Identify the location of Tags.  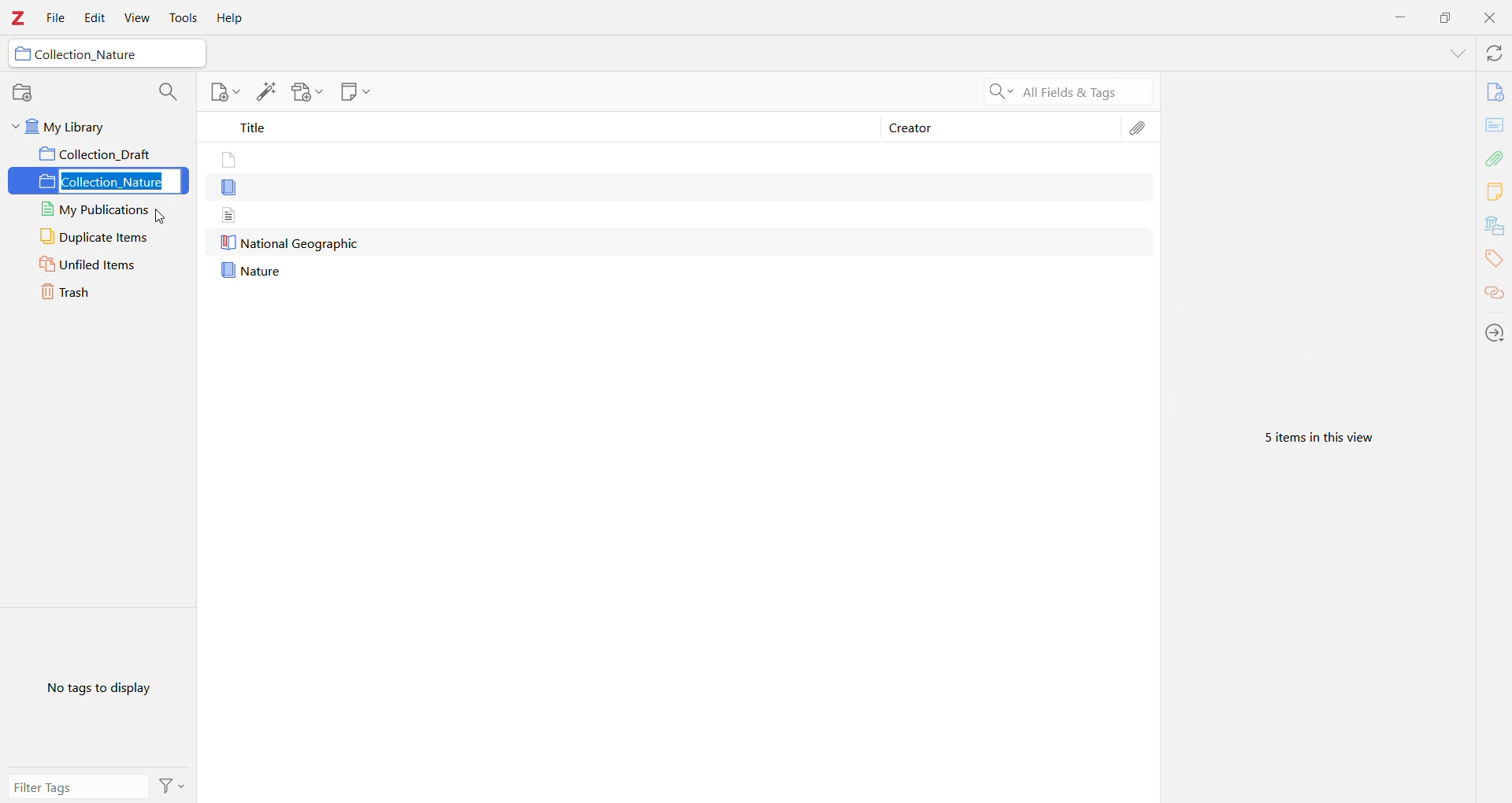
(1494, 258).